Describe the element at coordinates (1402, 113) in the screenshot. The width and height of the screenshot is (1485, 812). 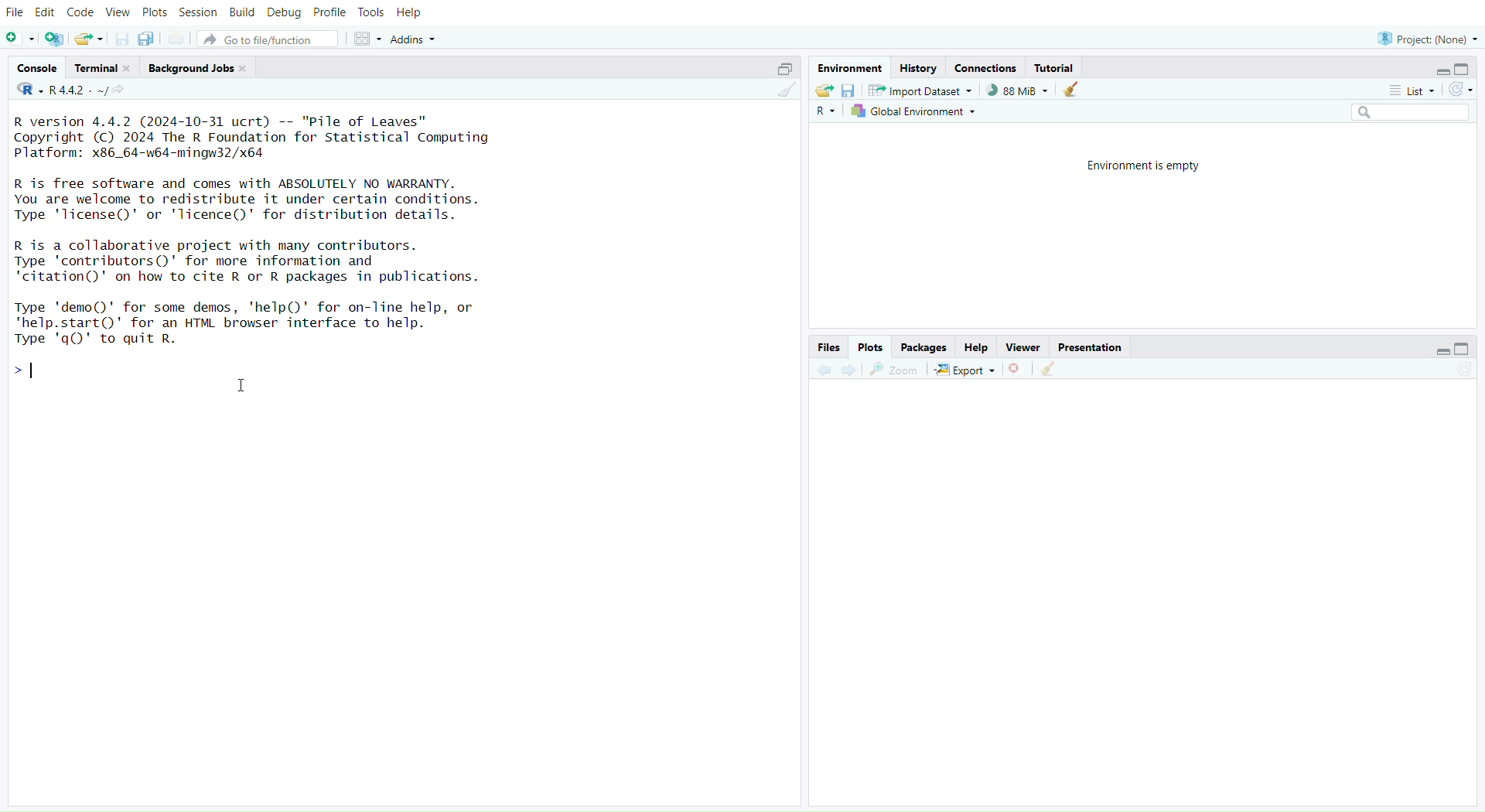
I see `search` at that location.